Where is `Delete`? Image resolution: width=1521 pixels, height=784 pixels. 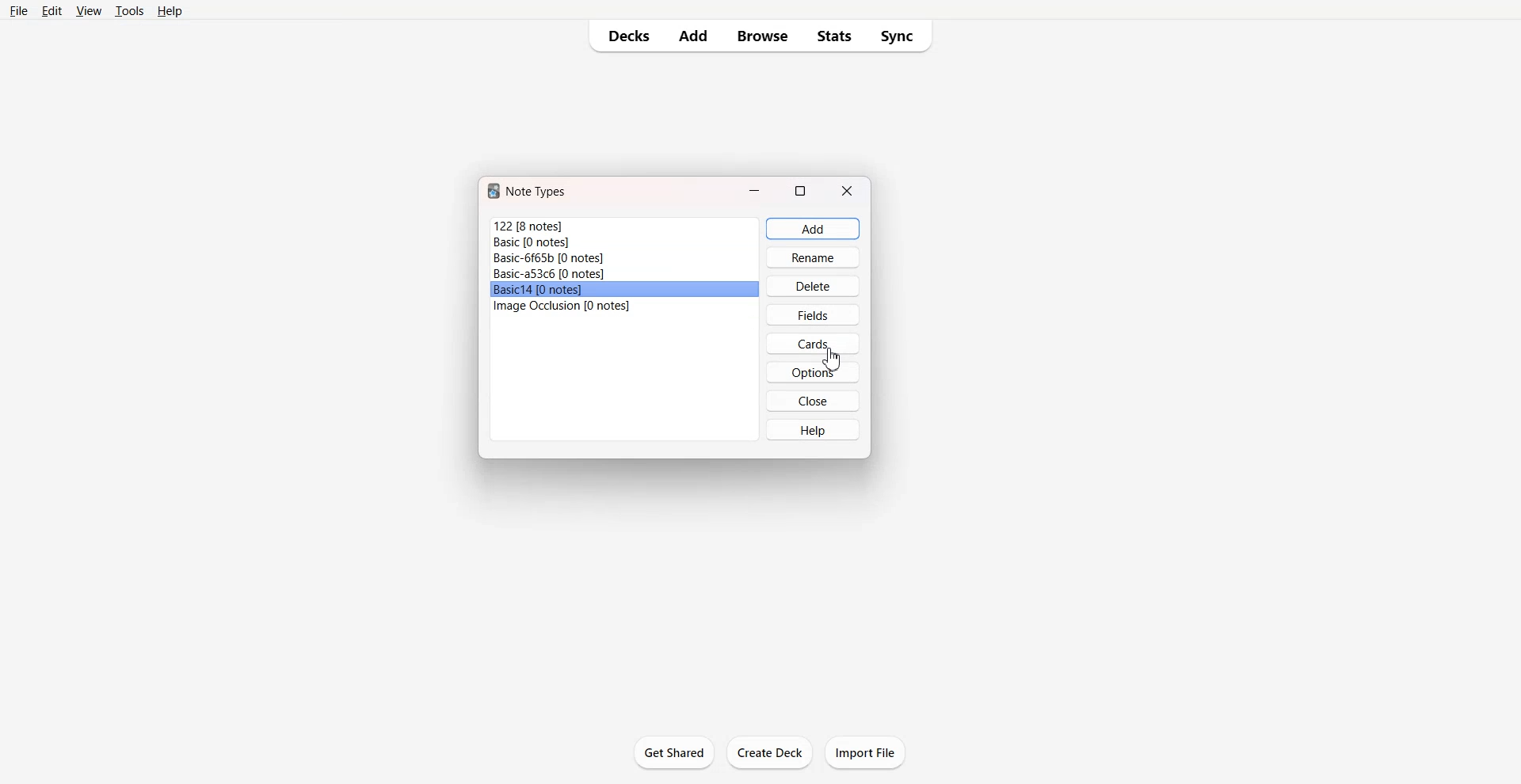 Delete is located at coordinates (814, 286).